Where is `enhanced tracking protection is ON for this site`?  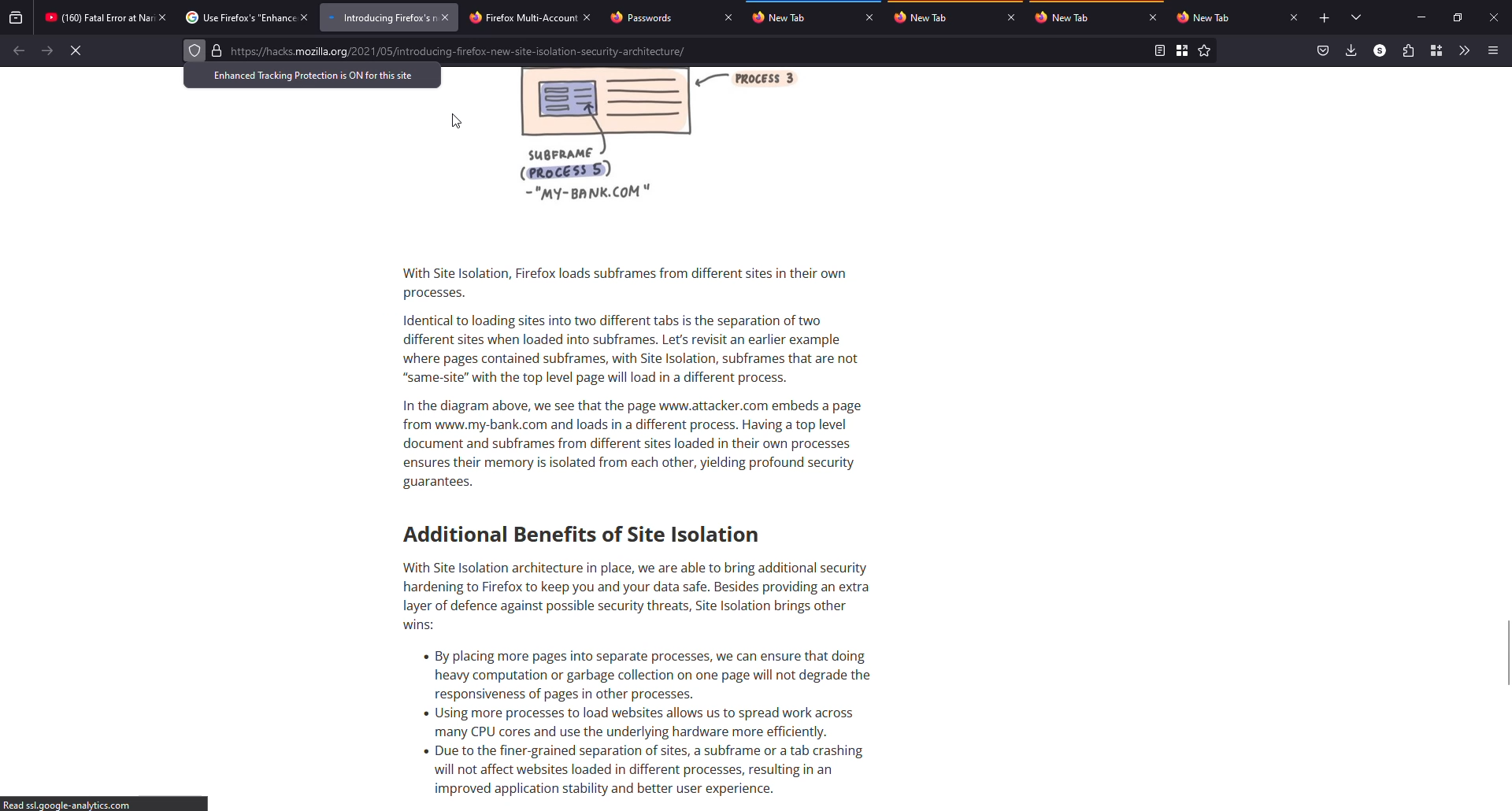
enhanced tracking protection is ON for this site is located at coordinates (317, 76).